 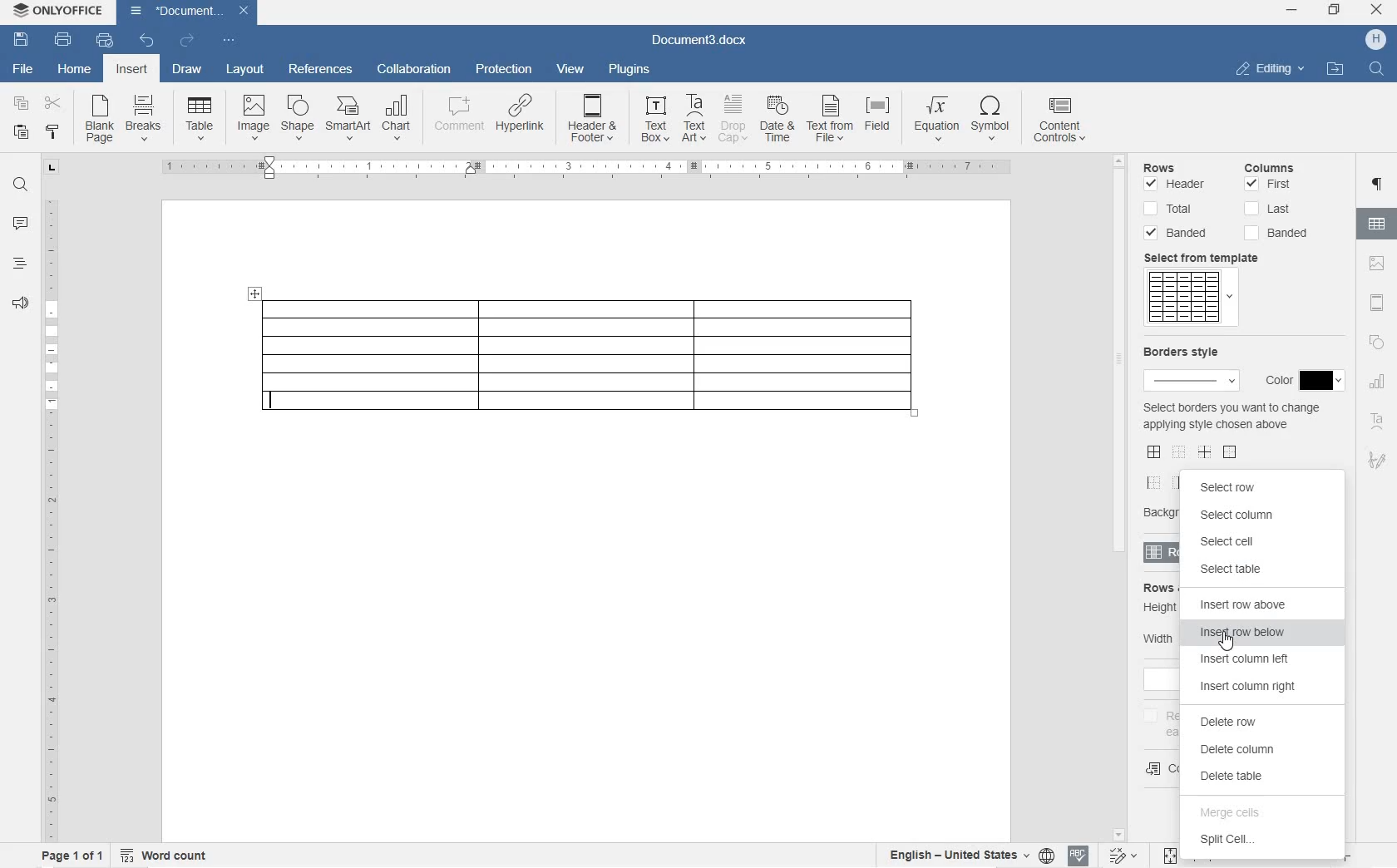 What do you see at coordinates (461, 116) in the screenshot?
I see `COMMENT` at bounding box center [461, 116].